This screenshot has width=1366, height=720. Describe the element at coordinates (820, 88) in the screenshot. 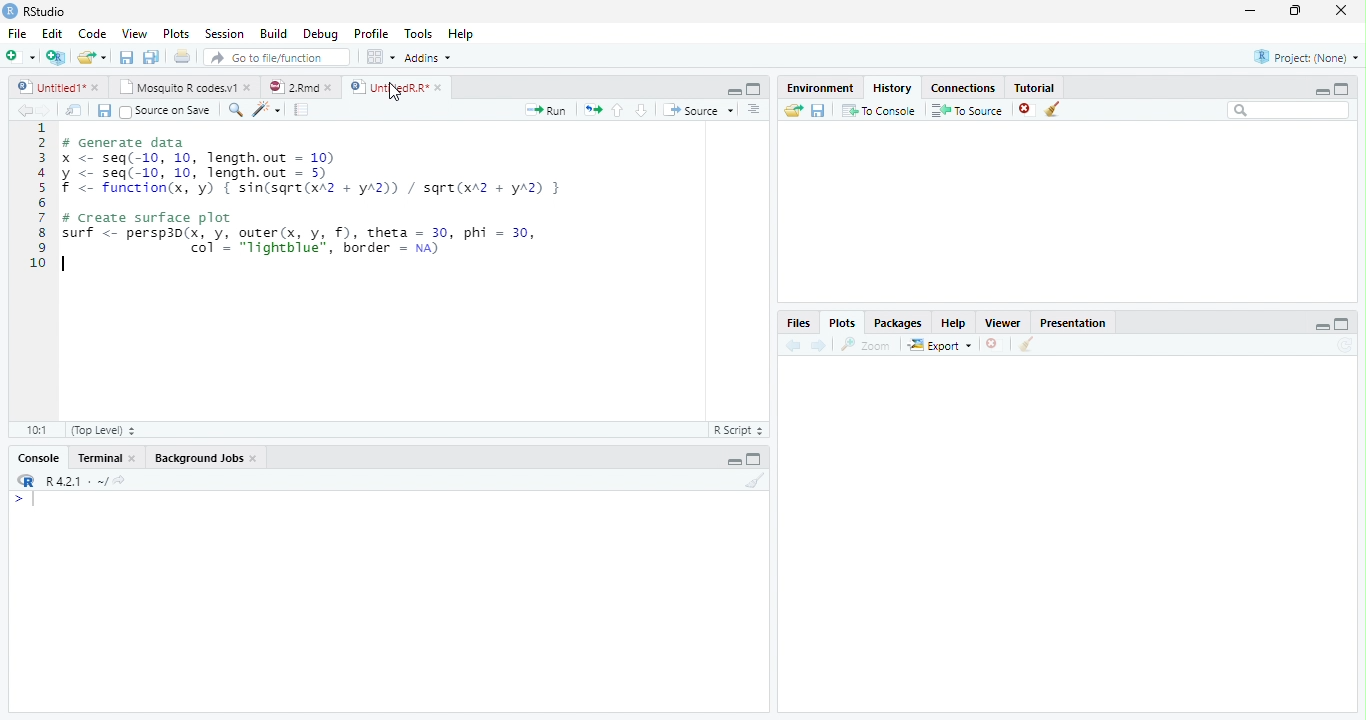

I see `Environment` at that location.